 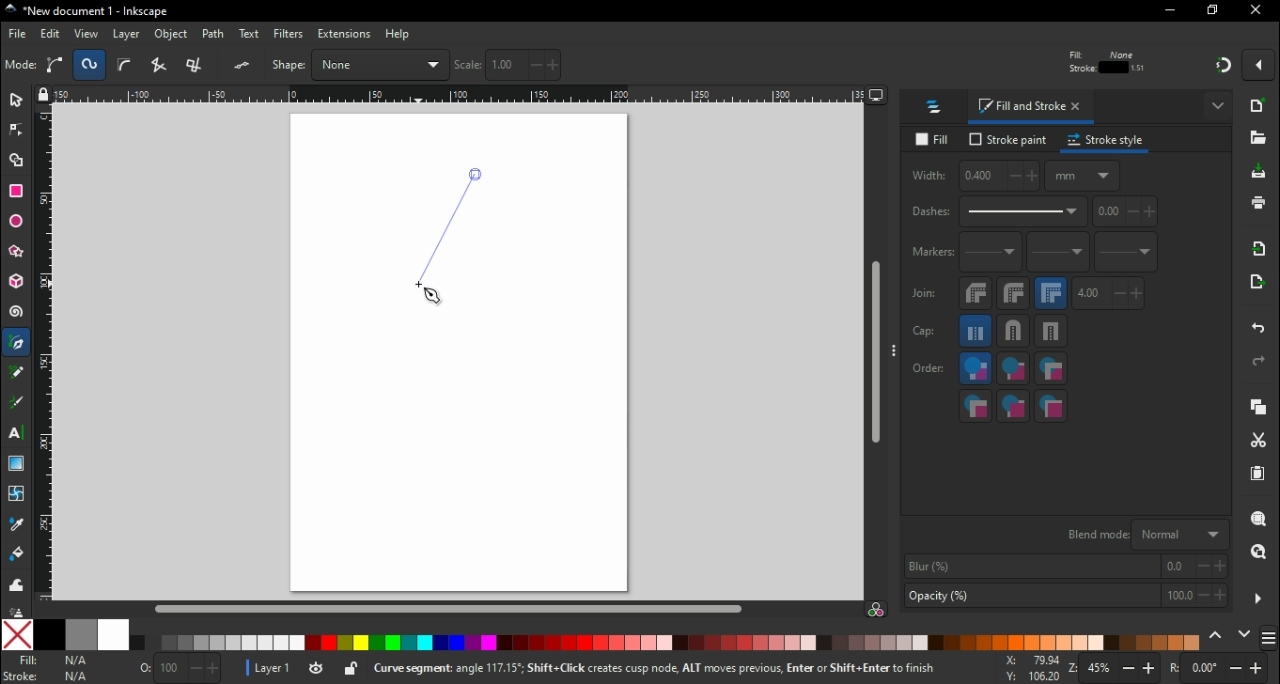 What do you see at coordinates (975, 297) in the screenshot?
I see `bevel` at bounding box center [975, 297].